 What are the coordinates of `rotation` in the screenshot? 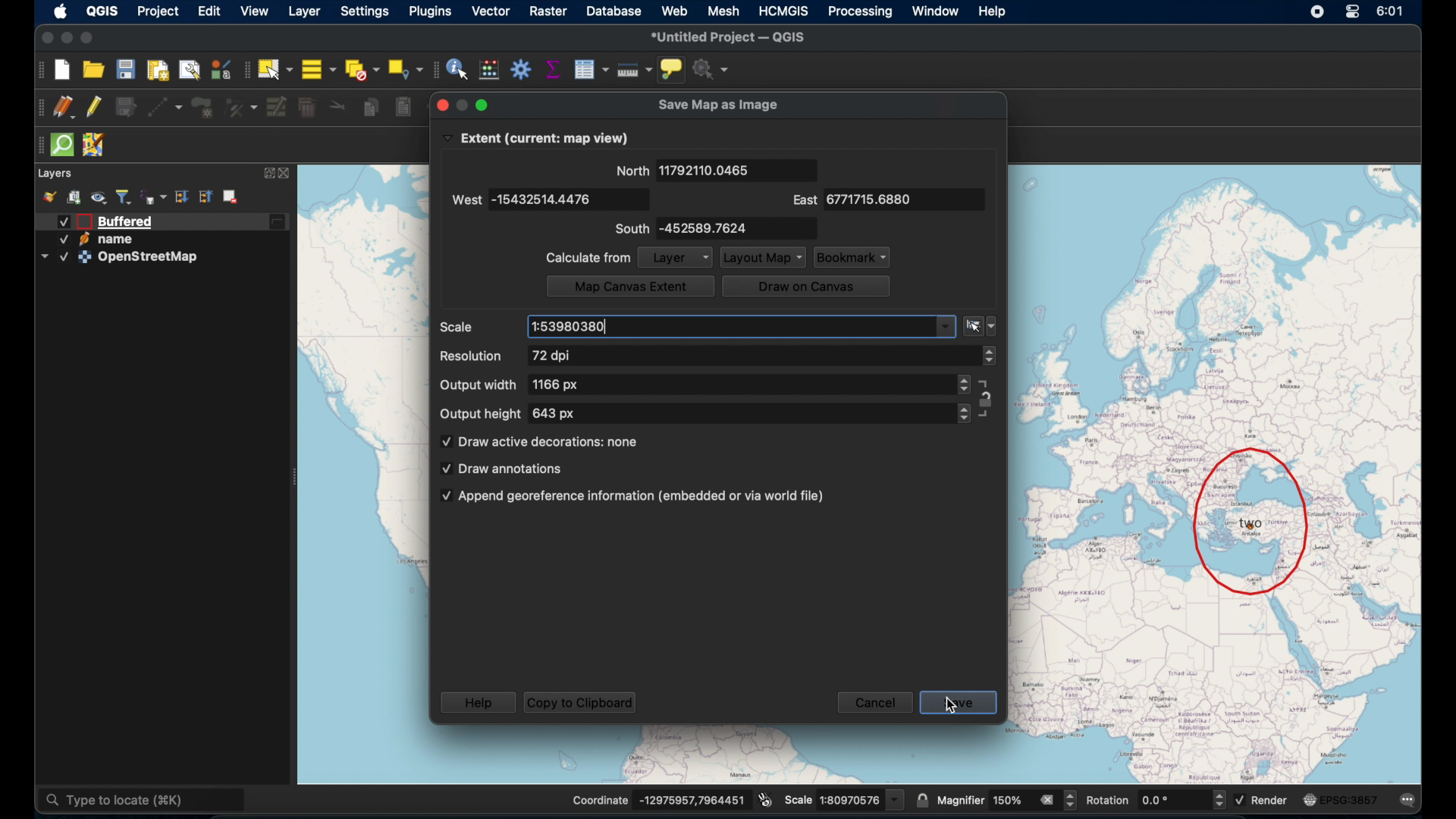 It's located at (1107, 801).